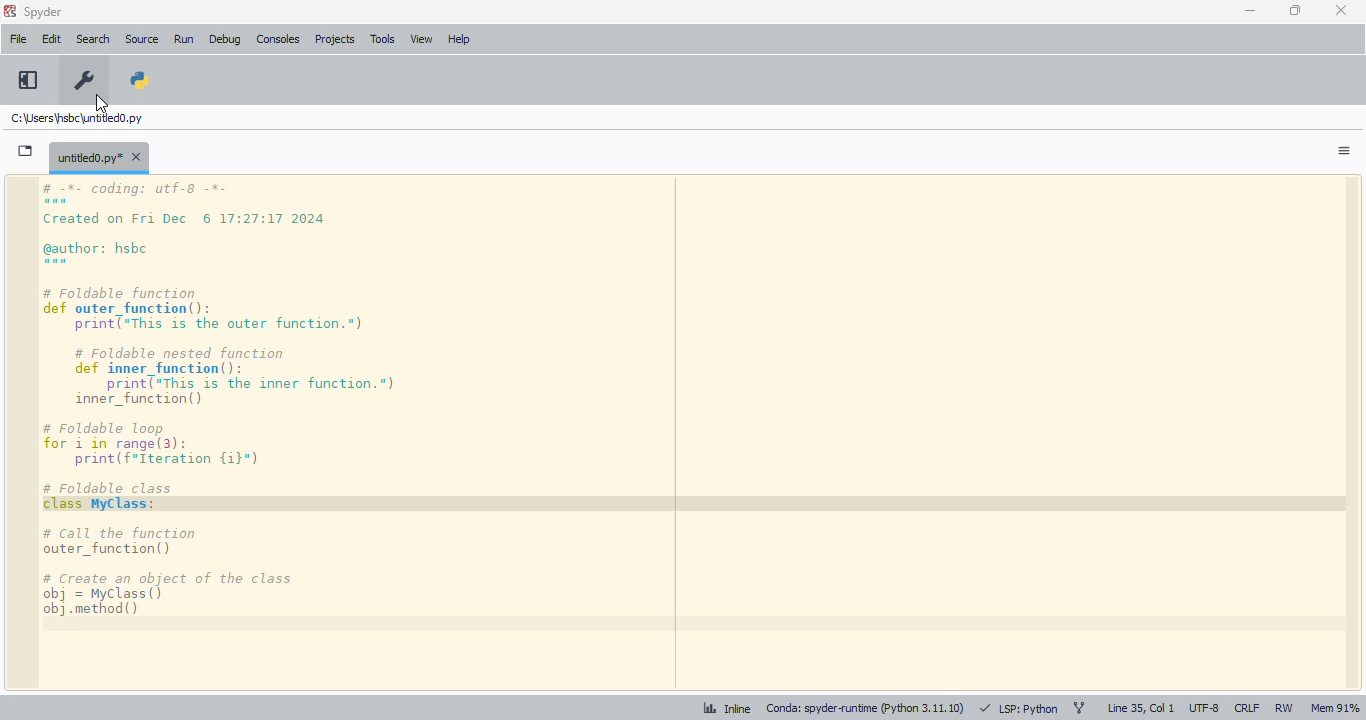 The width and height of the screenshot is (1366, 720). Describe the element at coordinates (44, 12) in the screenshot. I see `spyder` at that location.